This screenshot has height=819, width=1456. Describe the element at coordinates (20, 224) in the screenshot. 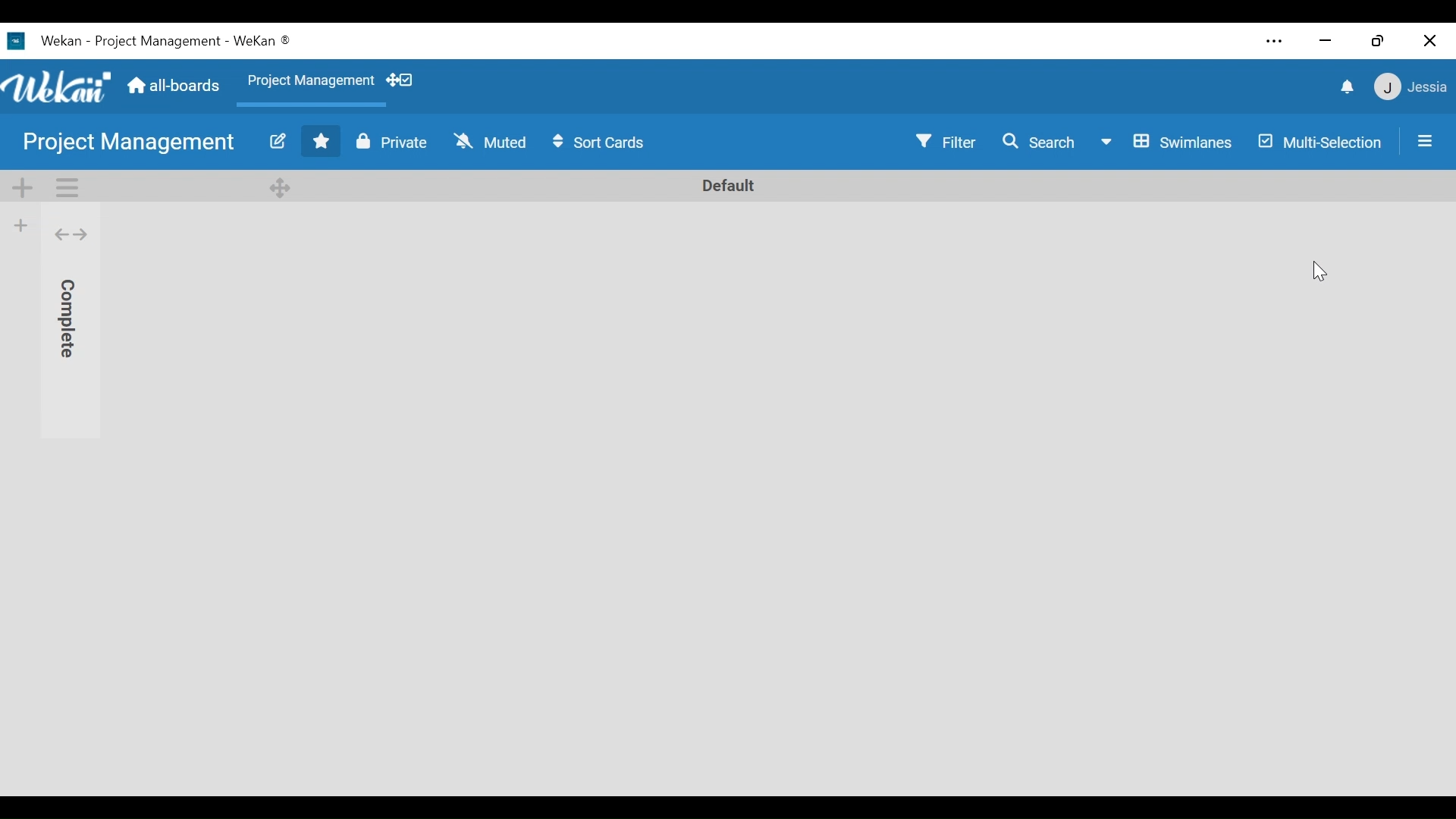

I see `add` at that location.